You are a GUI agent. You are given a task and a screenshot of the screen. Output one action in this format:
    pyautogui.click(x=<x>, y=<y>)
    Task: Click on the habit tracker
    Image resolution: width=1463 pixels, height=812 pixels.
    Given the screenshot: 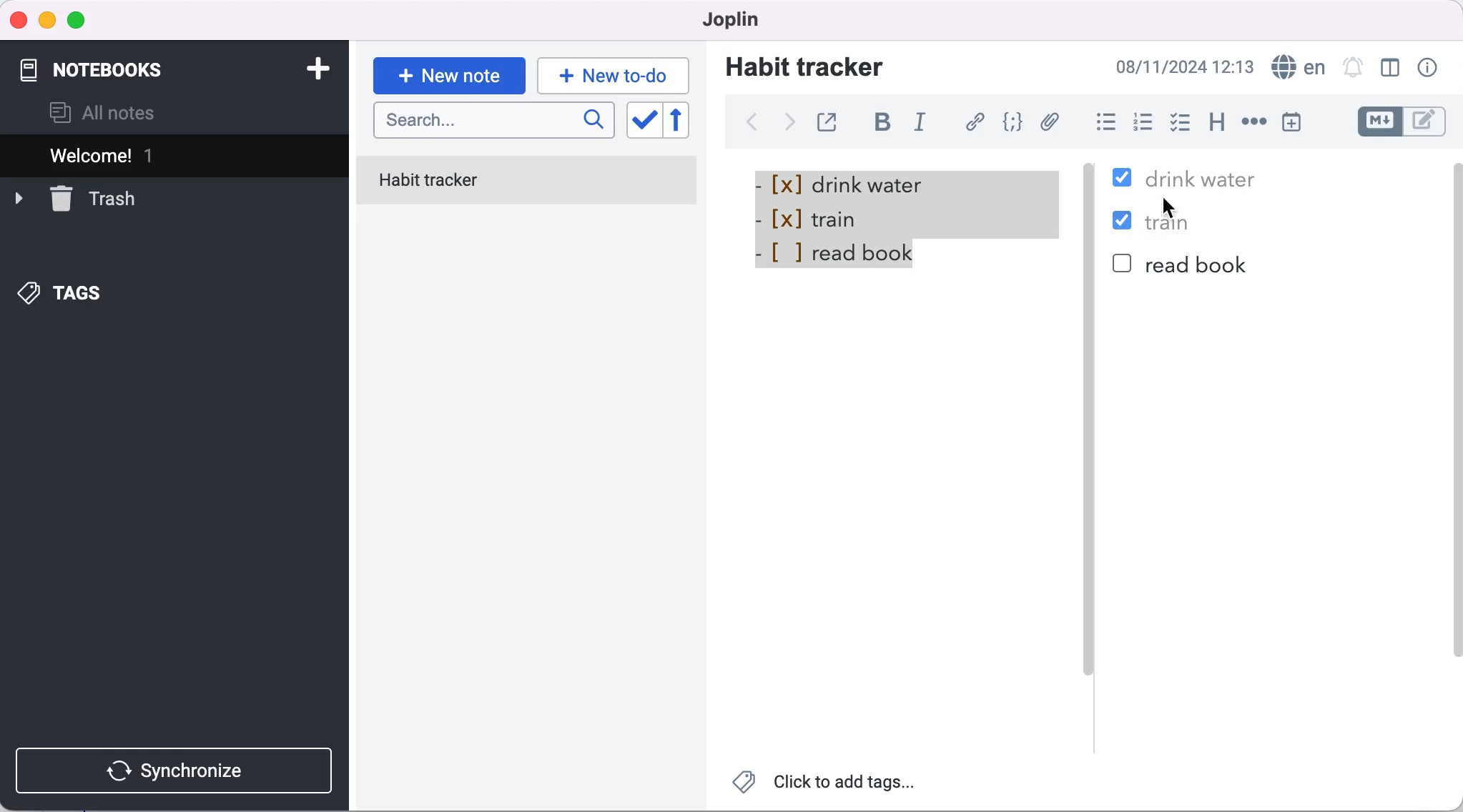 What is the action you would take?
    pyautogui.click(x=804, y=66)
    